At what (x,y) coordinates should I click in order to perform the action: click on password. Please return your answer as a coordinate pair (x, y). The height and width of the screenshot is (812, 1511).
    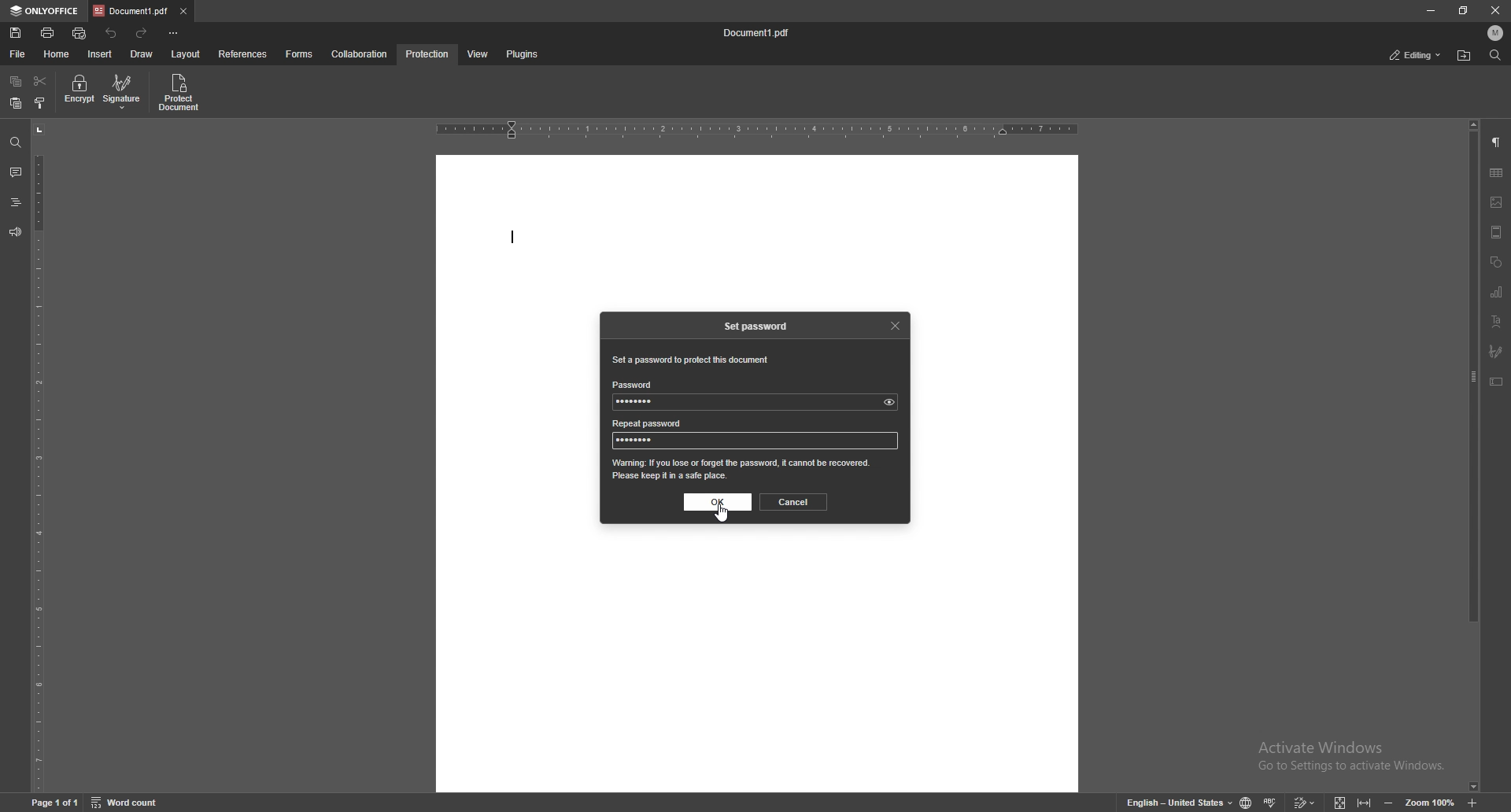
    Looking at the image, I should click on (634, 383).